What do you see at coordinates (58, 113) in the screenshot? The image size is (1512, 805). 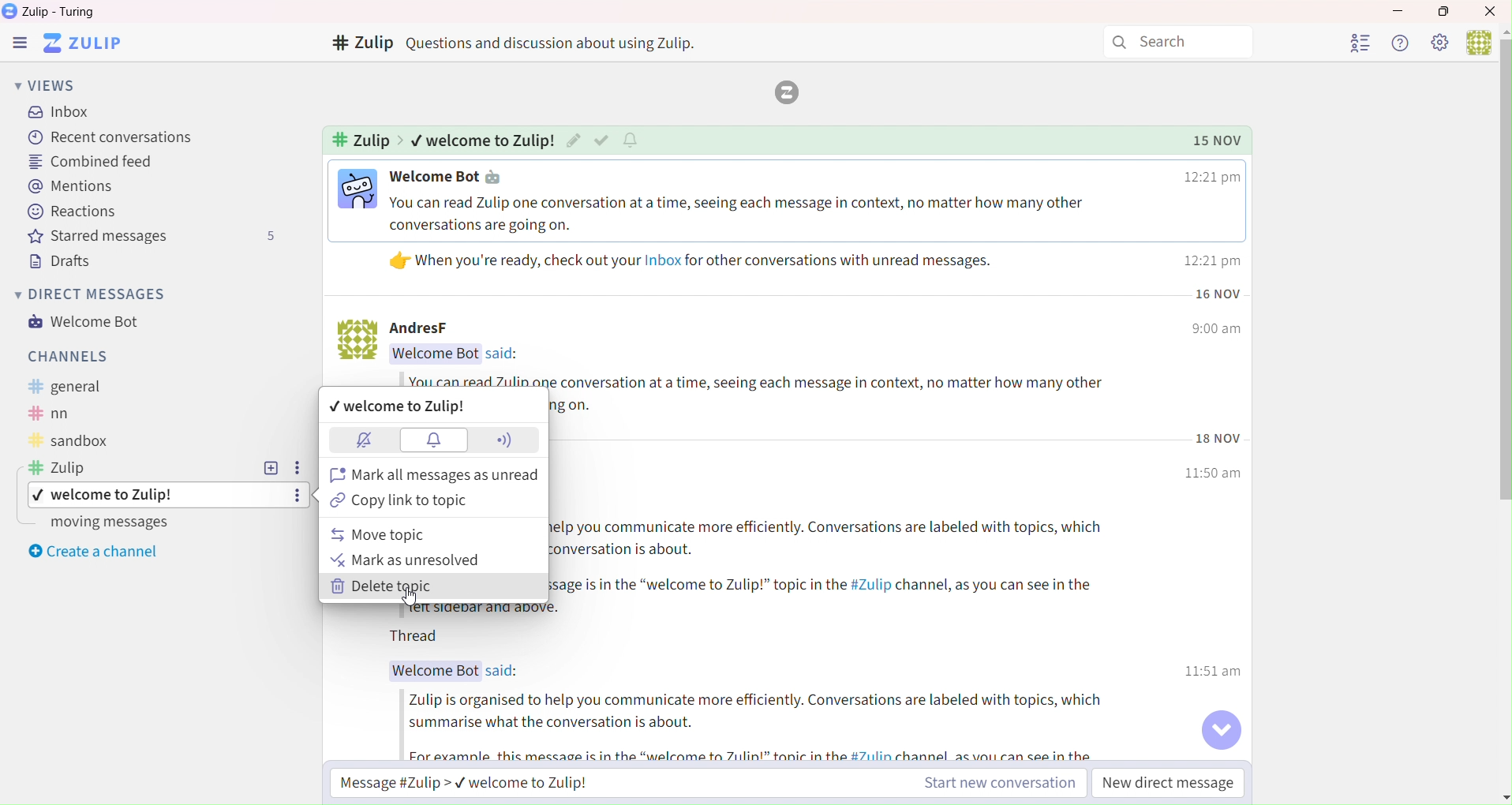 I see `Inbox` at bounding box center [58, 113].